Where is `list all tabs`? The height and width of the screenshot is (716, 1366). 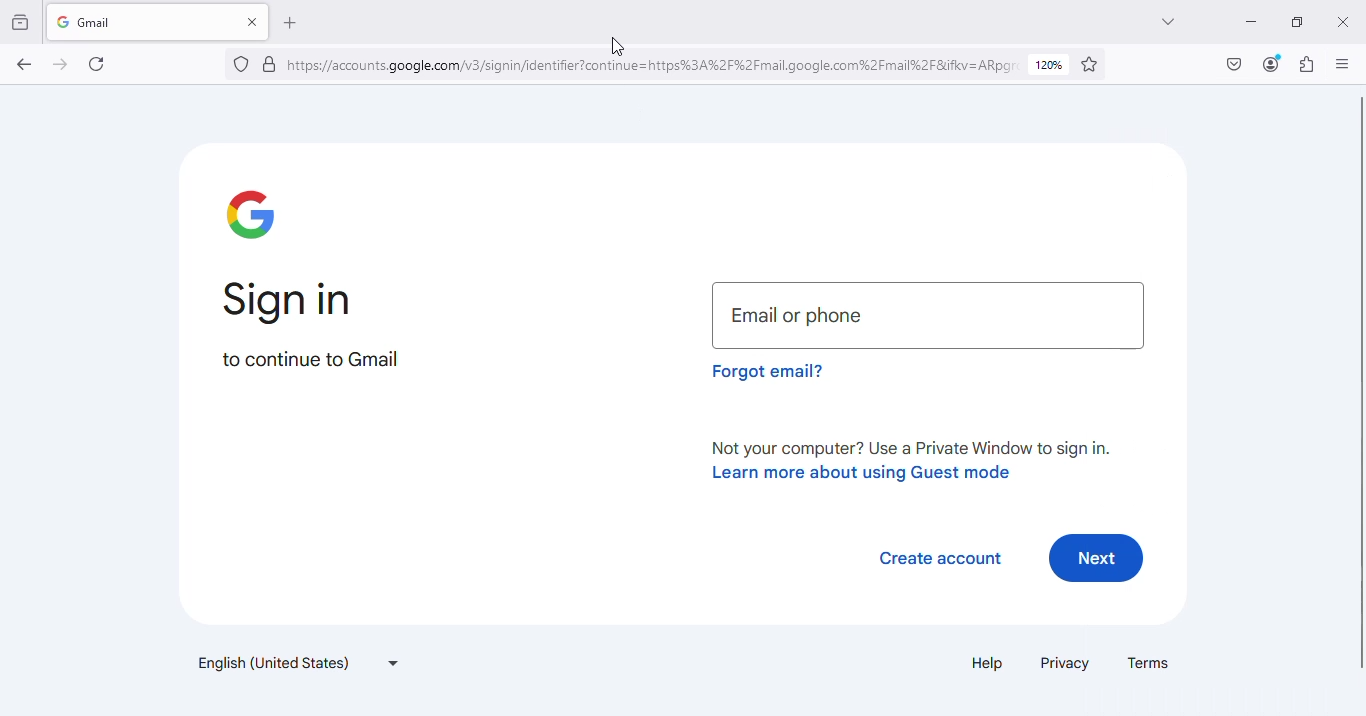 list all tabs is located at coordinates (1169, 22).